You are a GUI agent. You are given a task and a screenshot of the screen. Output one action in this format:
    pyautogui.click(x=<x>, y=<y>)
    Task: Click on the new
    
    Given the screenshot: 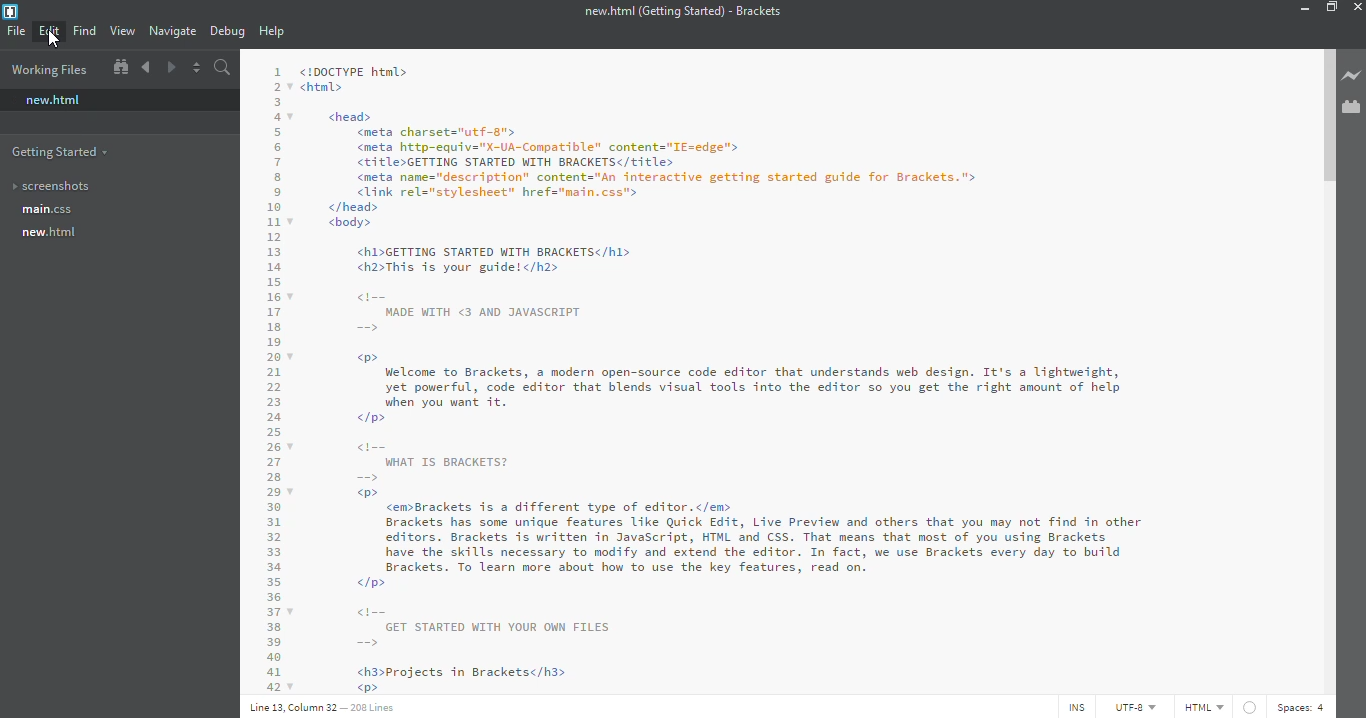 What is the action you would take?
    pyautogui.click(x=52, y=233)
    